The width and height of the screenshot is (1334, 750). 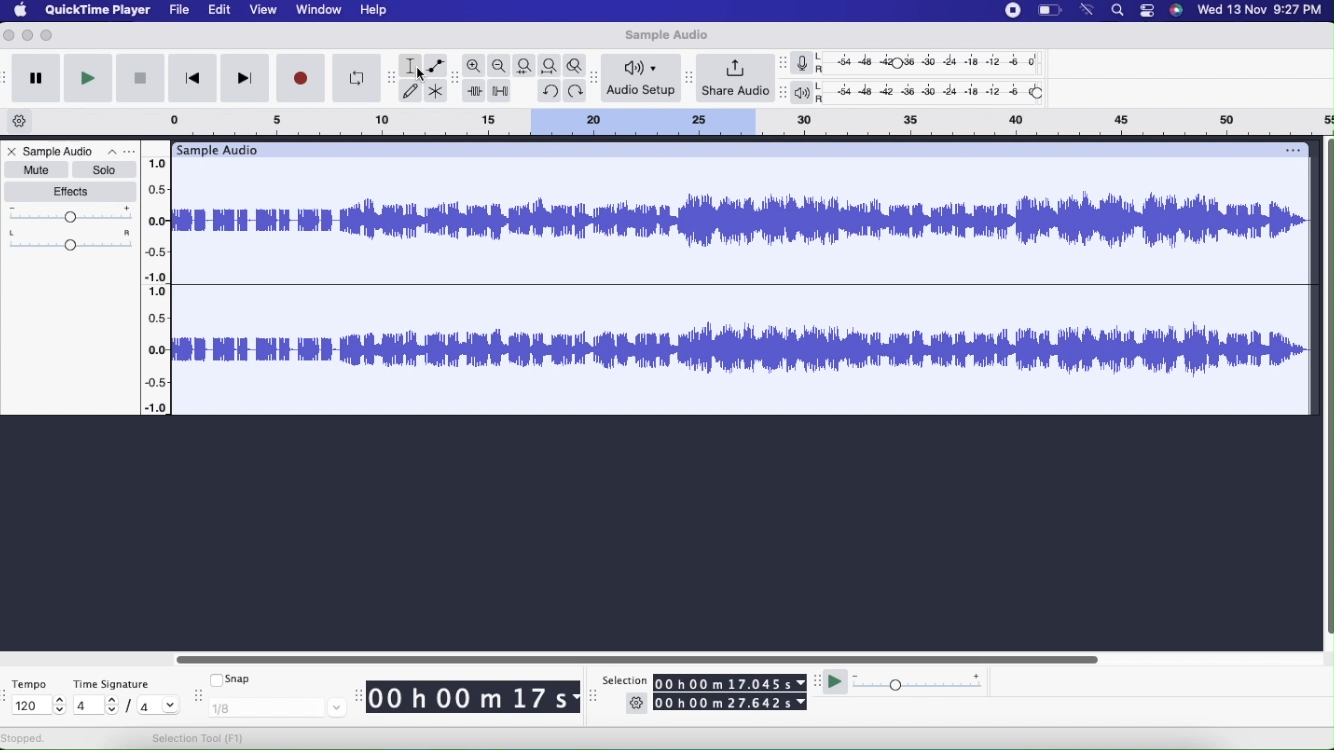 What do you see at coordinates (231, 677) in the screenshot?
I see `Snap` at bounding box center [231, 677].